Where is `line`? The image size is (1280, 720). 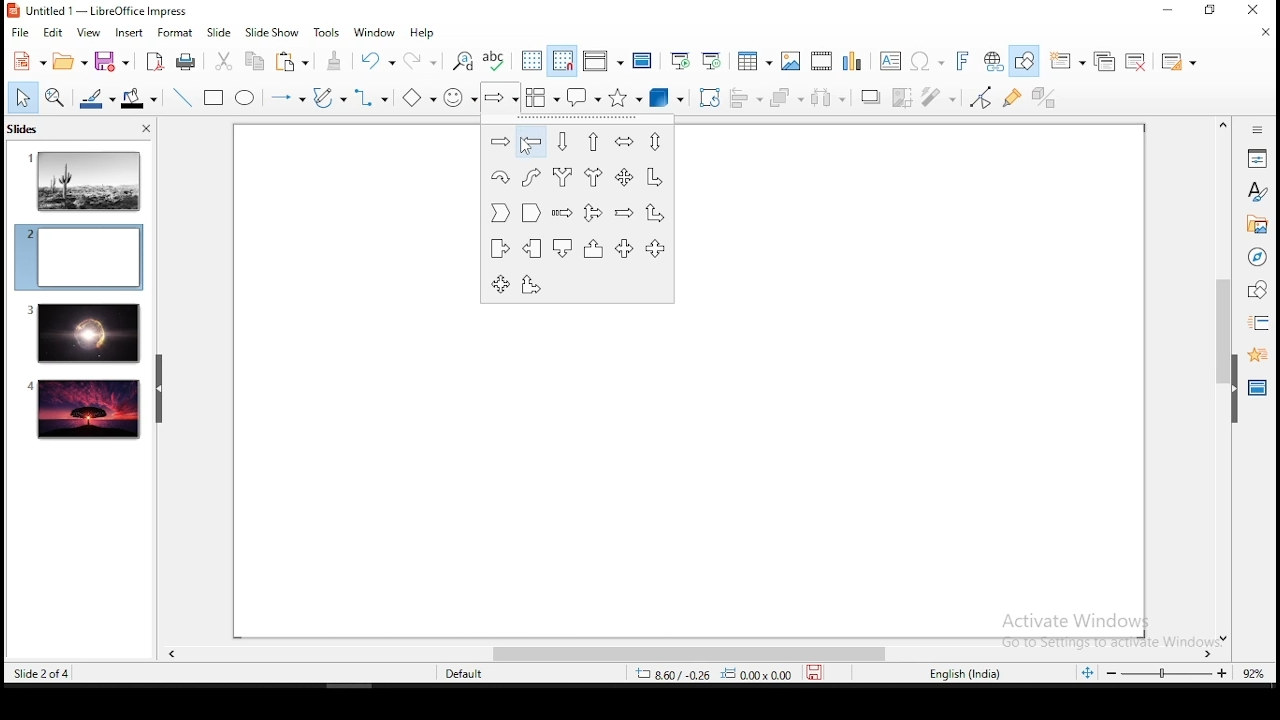
line is located at coordinates (180, 98).